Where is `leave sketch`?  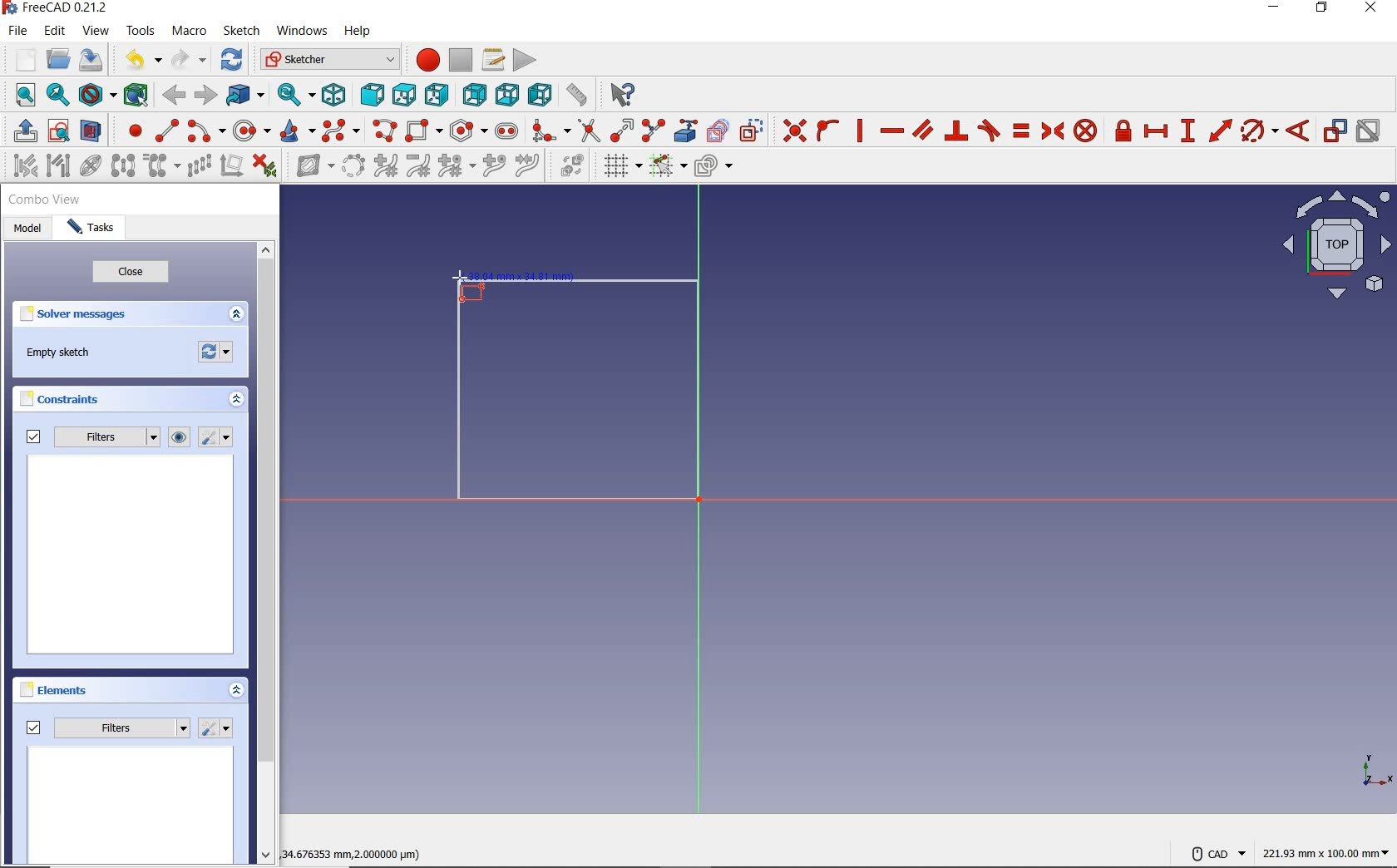 leave sketch is located at coordinates (22, 131).